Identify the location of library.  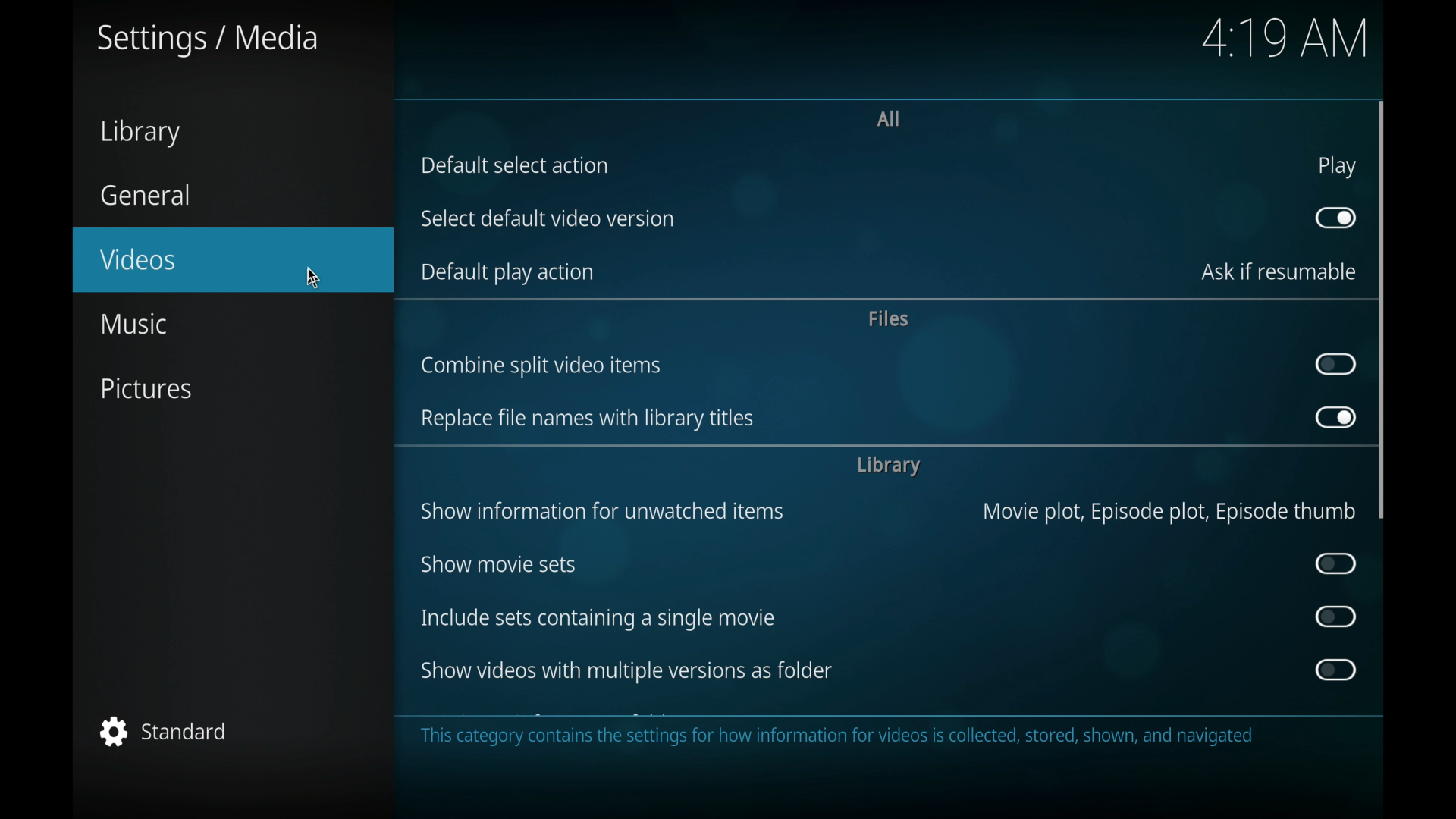
(142, 133).